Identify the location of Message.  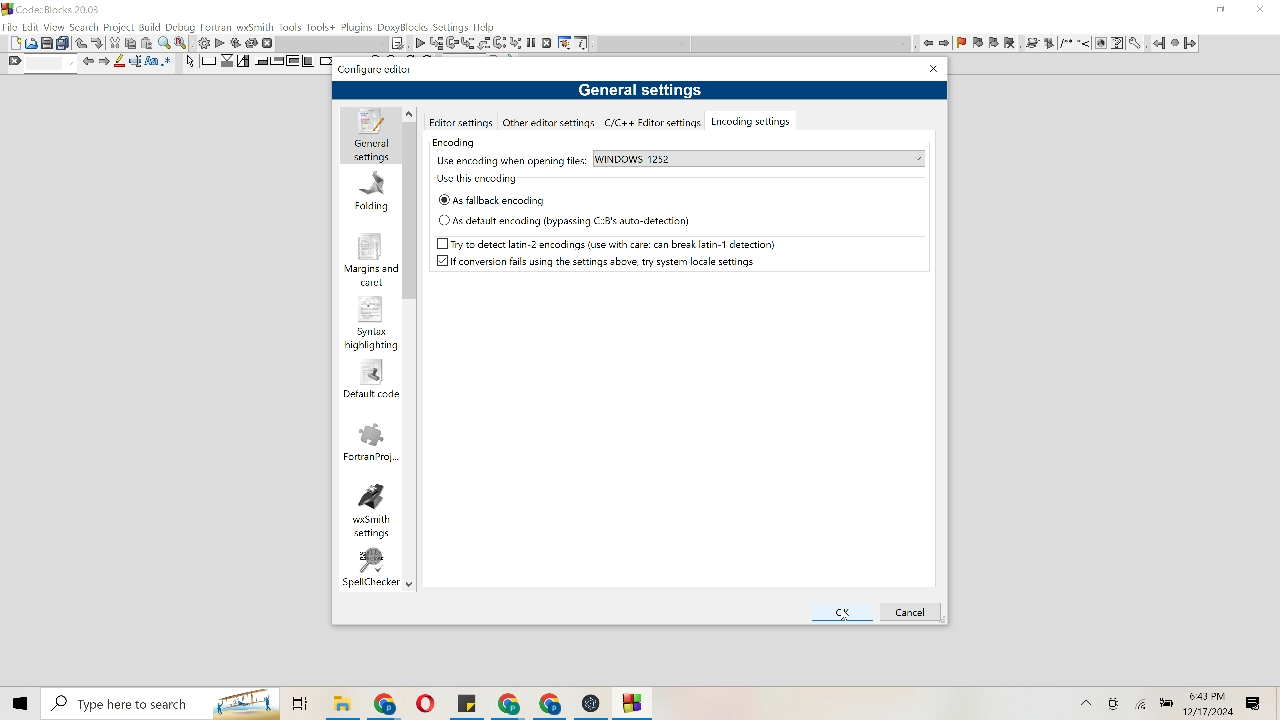
(1254, 703).